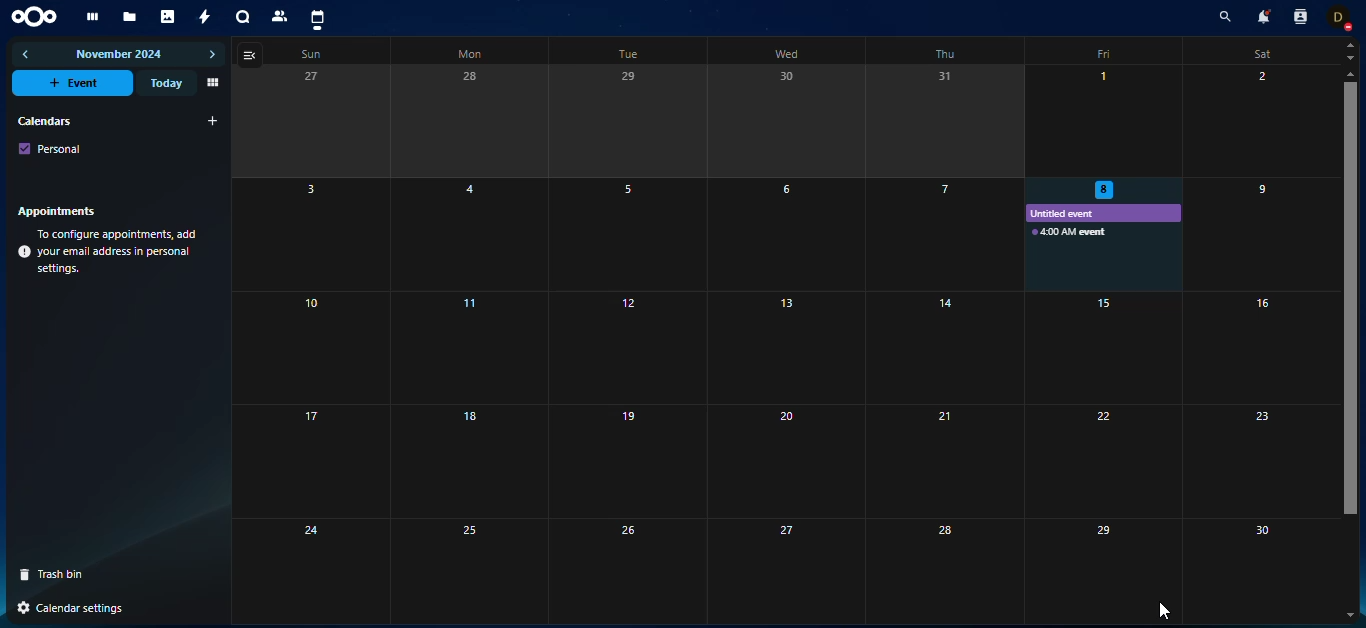 The width and height of the screenshot is (1366, 628). Describe the element at coordinates (1299, 17) in the screenshot. I see `contact` at that location.